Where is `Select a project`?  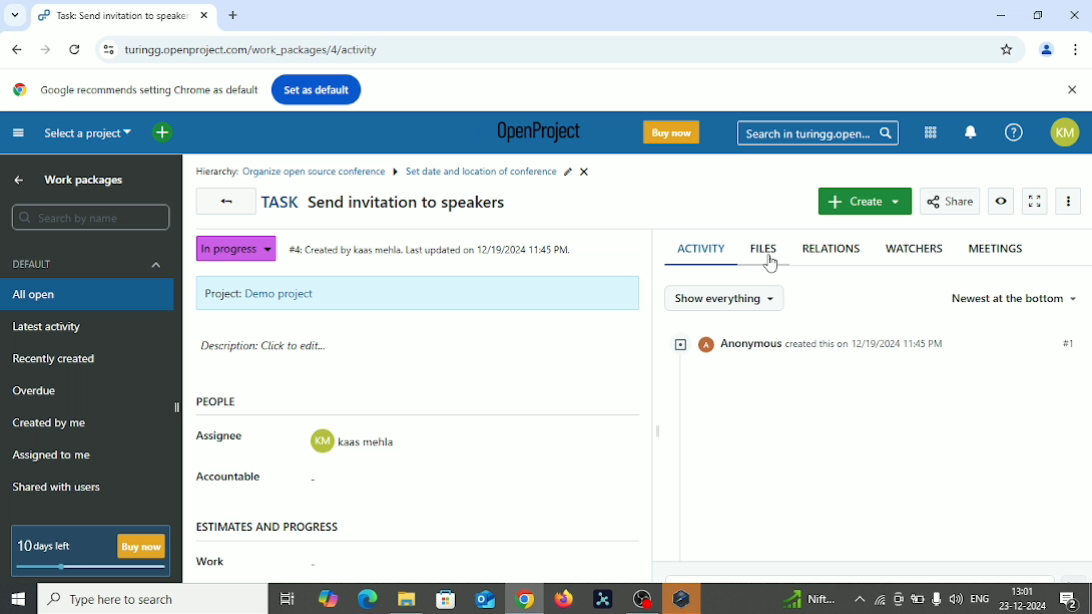
Select a project is located at coordinates (89, 132).